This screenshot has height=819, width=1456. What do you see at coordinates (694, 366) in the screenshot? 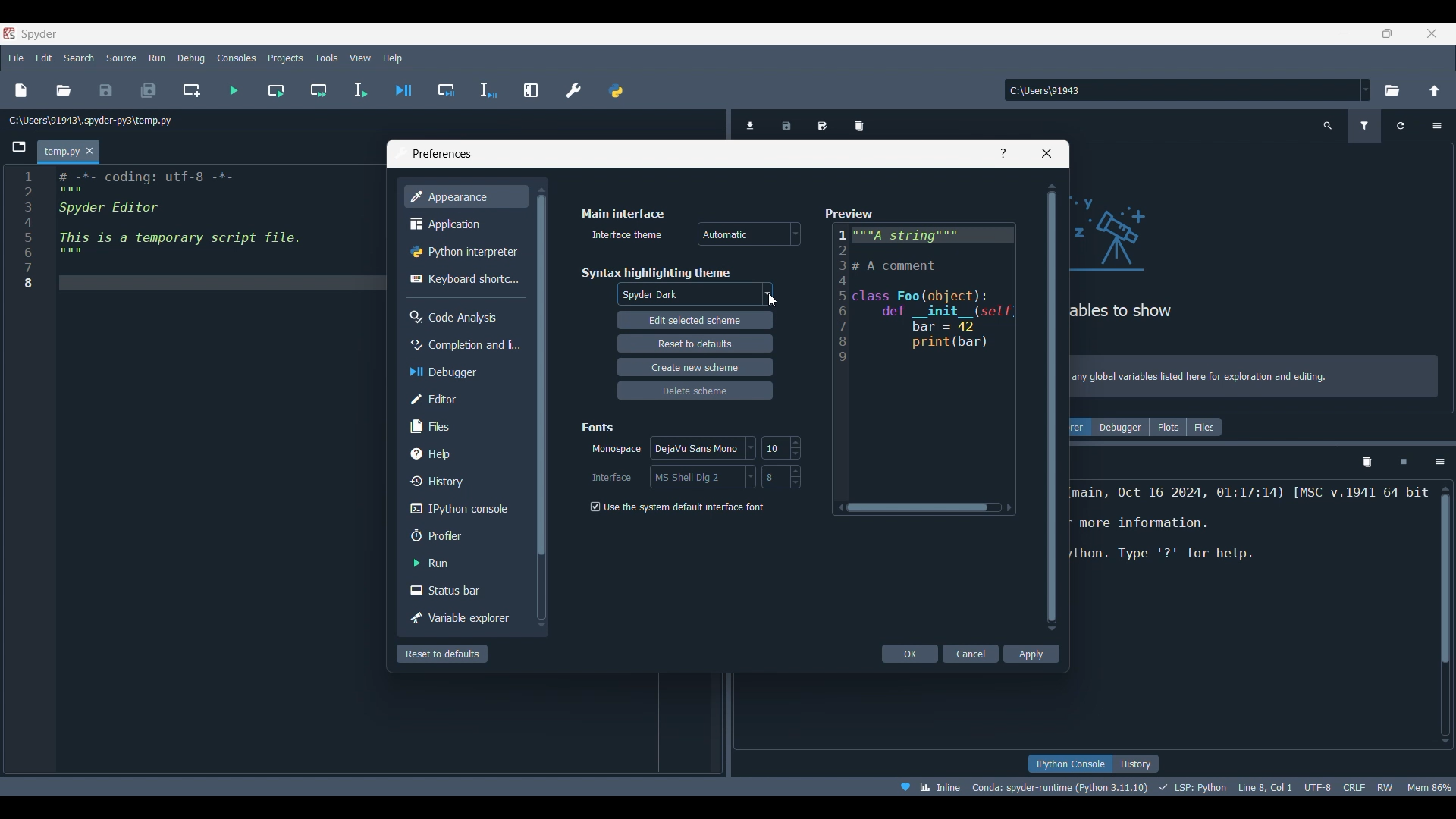
I see `create new scheme` at bounding box center [694, 366].